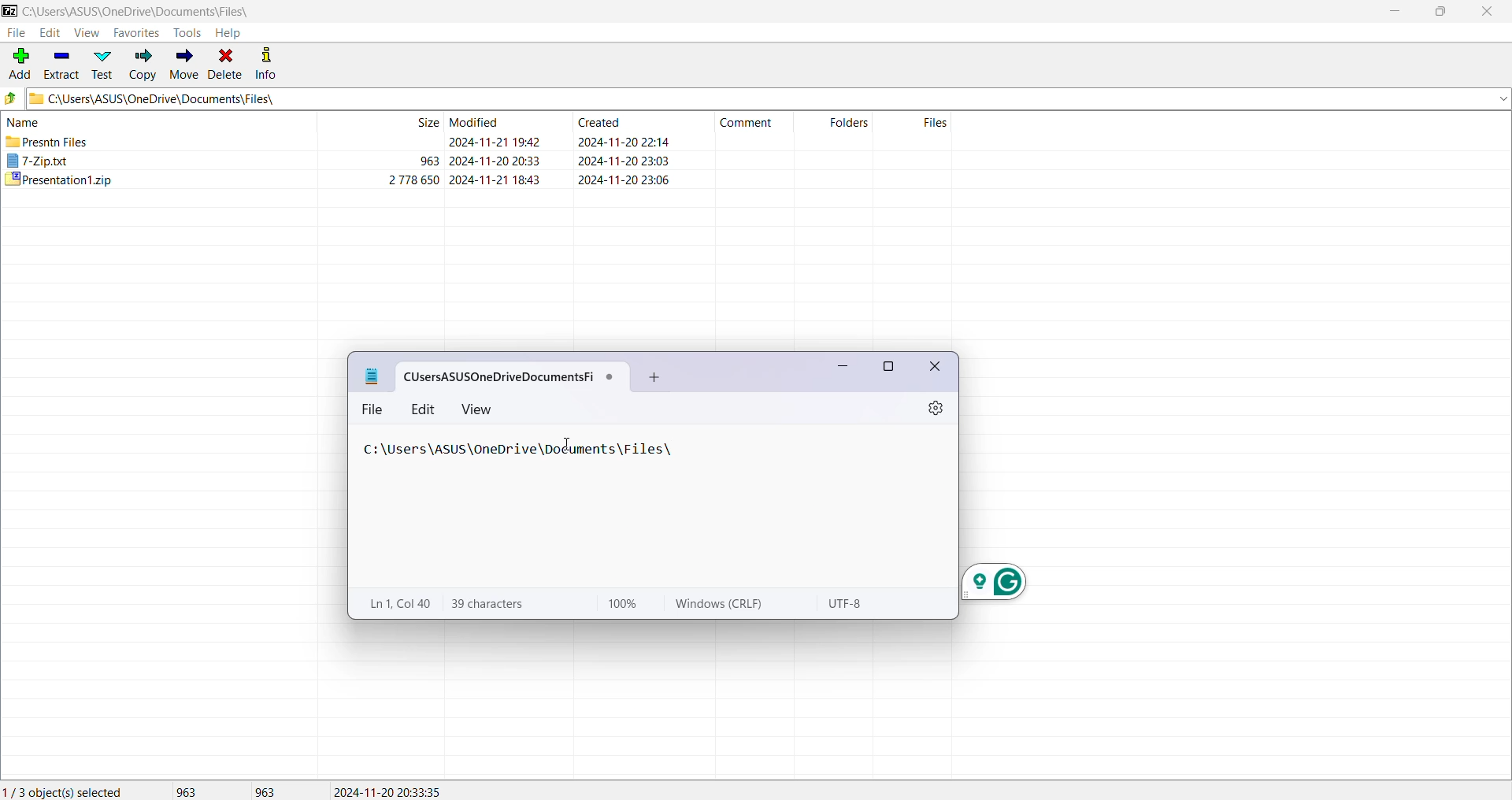 This screenshot has width=1512, height=800. Describe the element at coordinates (228, 32) in the screenshot. I see `Help` at that location.